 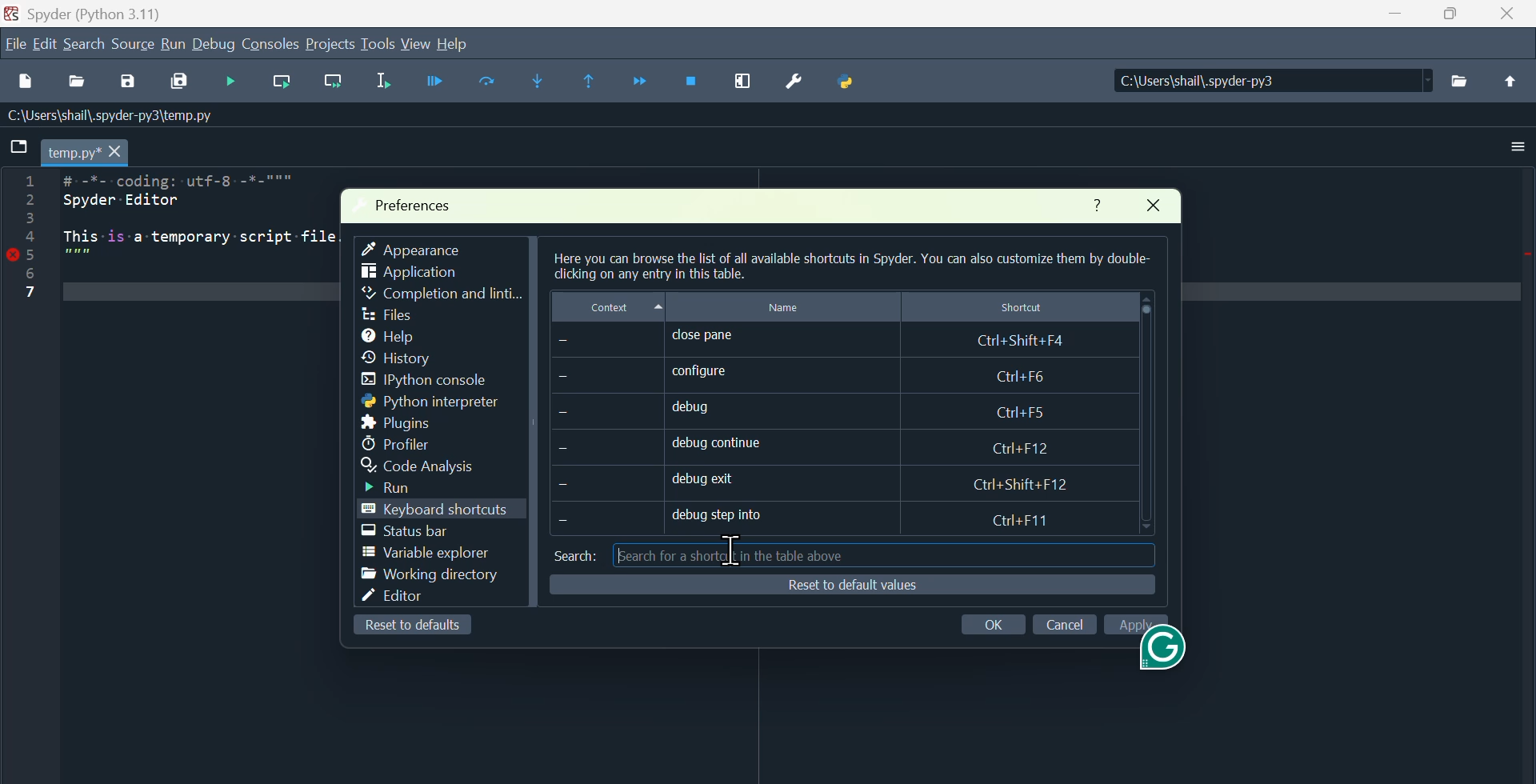 What do you see at coordinates (418, 274) in the screenshot?
I see `Application` at bounding box center [418, 274].